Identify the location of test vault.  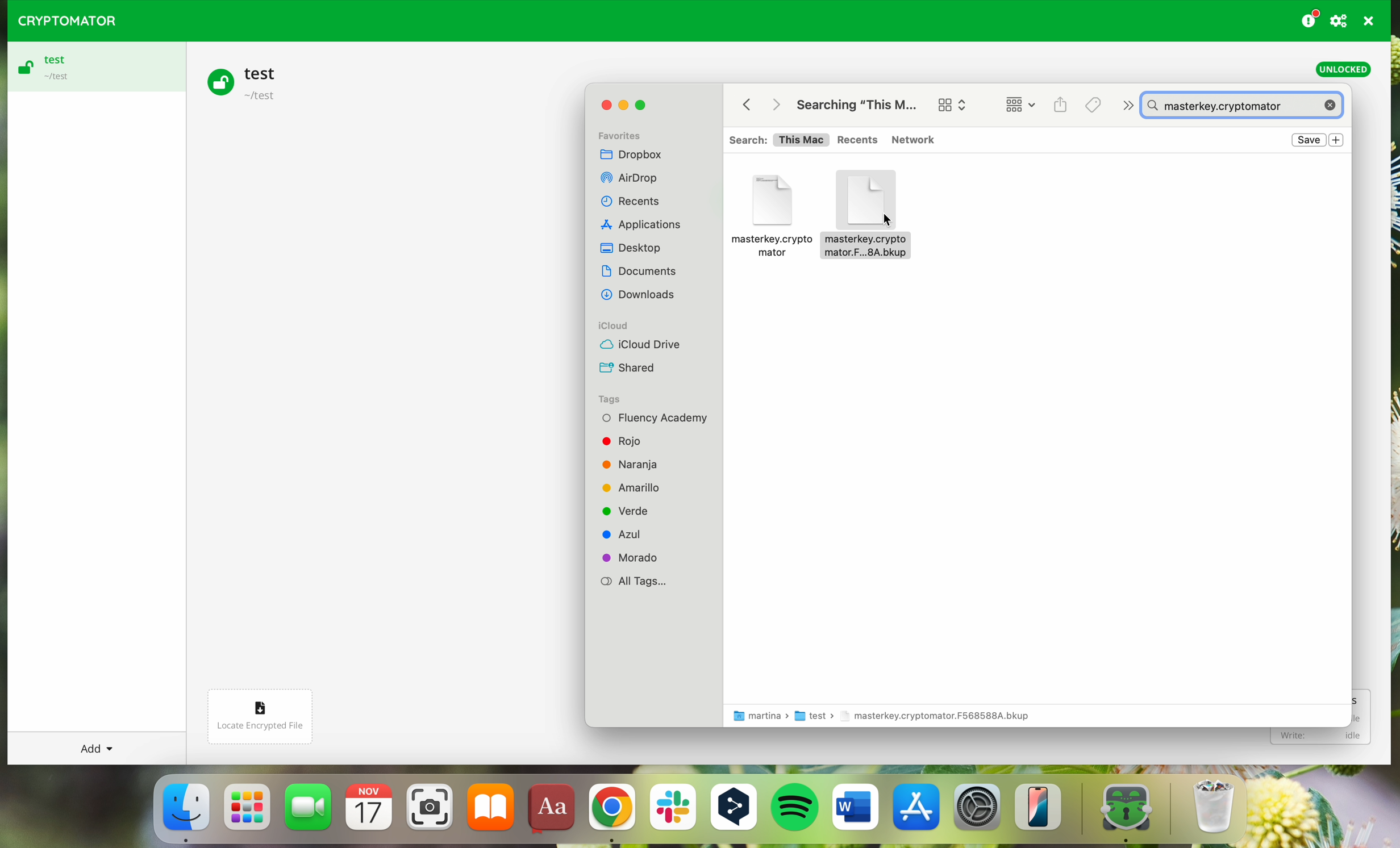
(93, 67).